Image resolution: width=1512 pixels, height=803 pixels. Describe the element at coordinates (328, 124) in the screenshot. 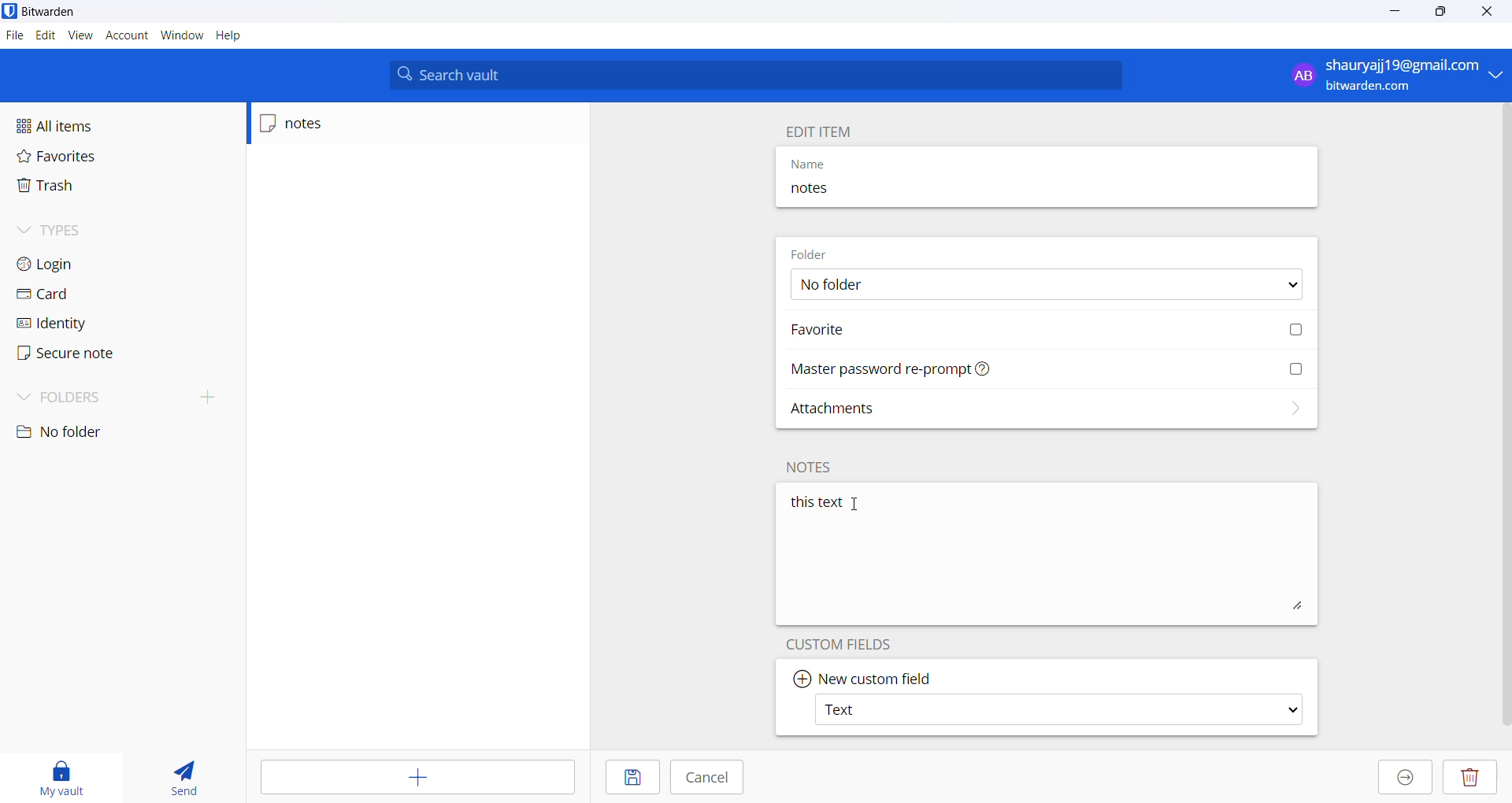

I see `notes` at that location.